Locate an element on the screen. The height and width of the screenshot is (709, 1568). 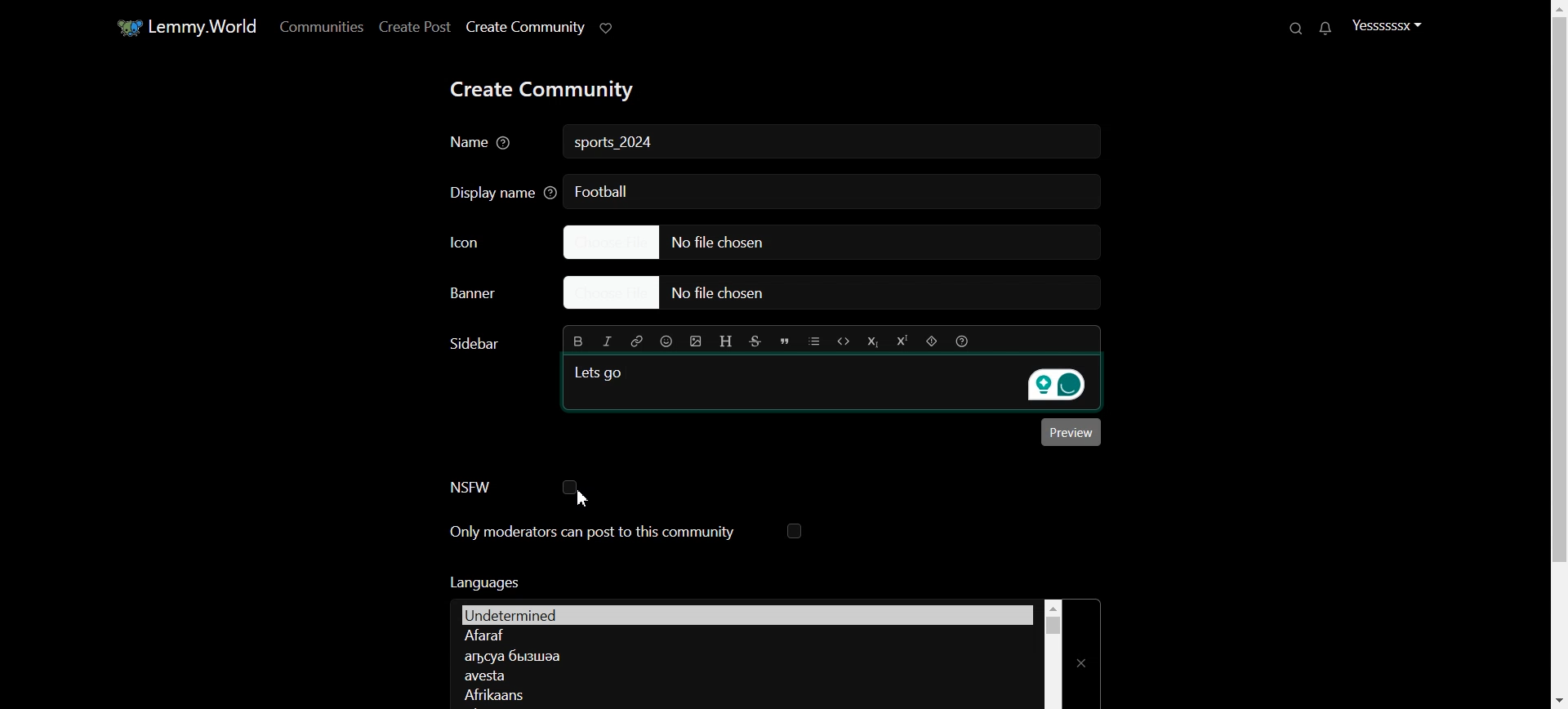
Insert Picture is located at coordinates (696, 341).